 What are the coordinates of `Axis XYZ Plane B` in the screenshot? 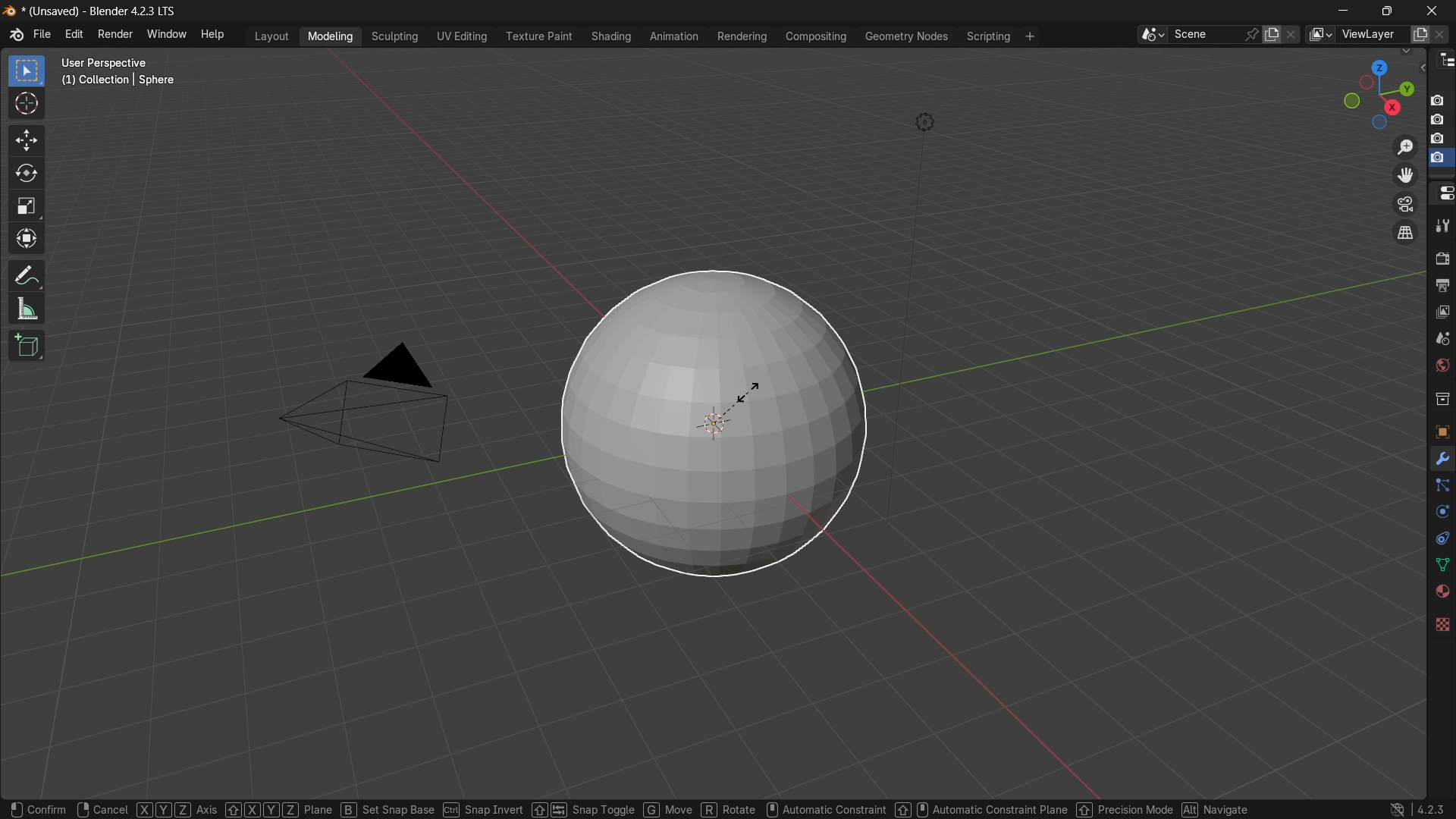 It's located at (280, 805).